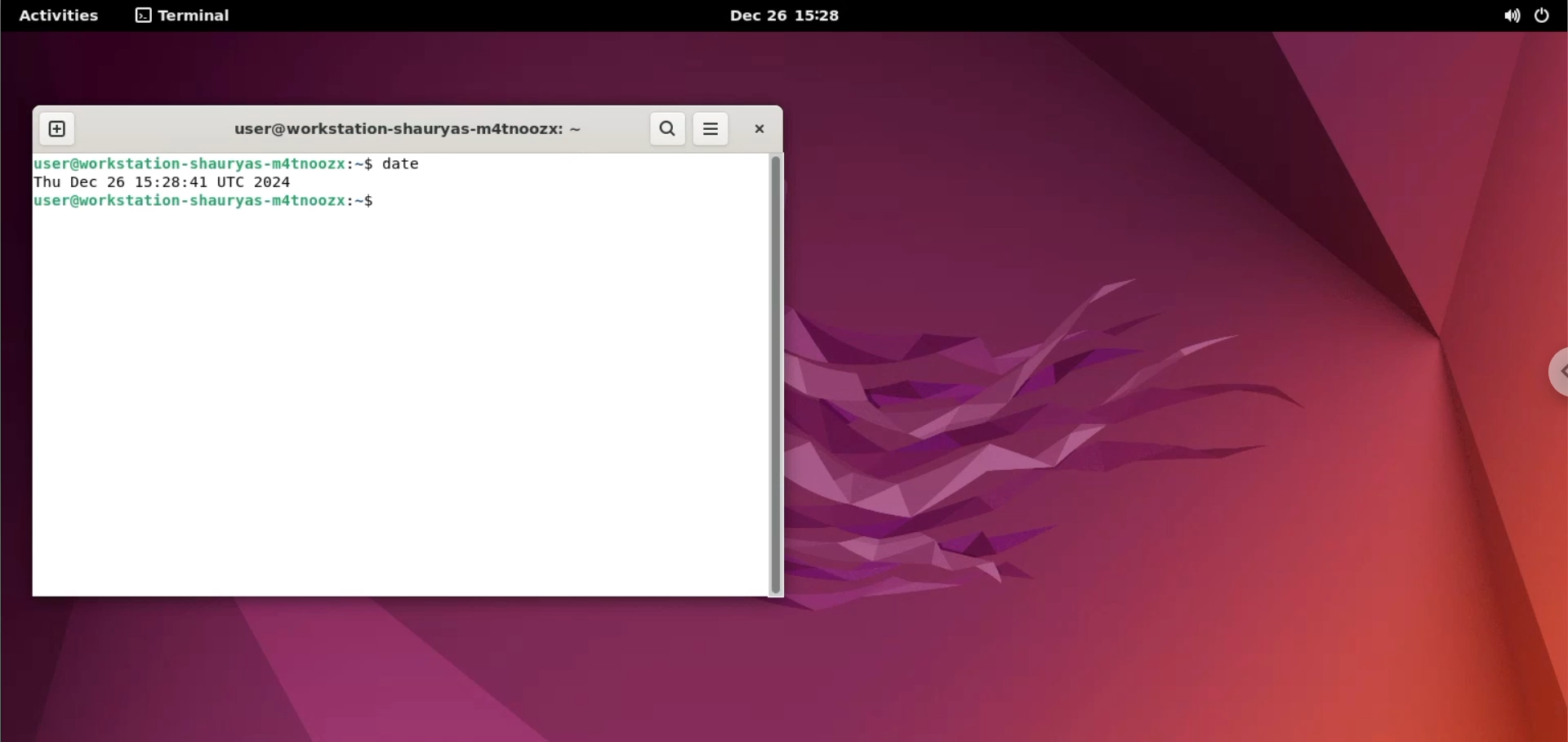  Describe the element at coordinates (763, 127) in the screenshot. I see `close` at that location.